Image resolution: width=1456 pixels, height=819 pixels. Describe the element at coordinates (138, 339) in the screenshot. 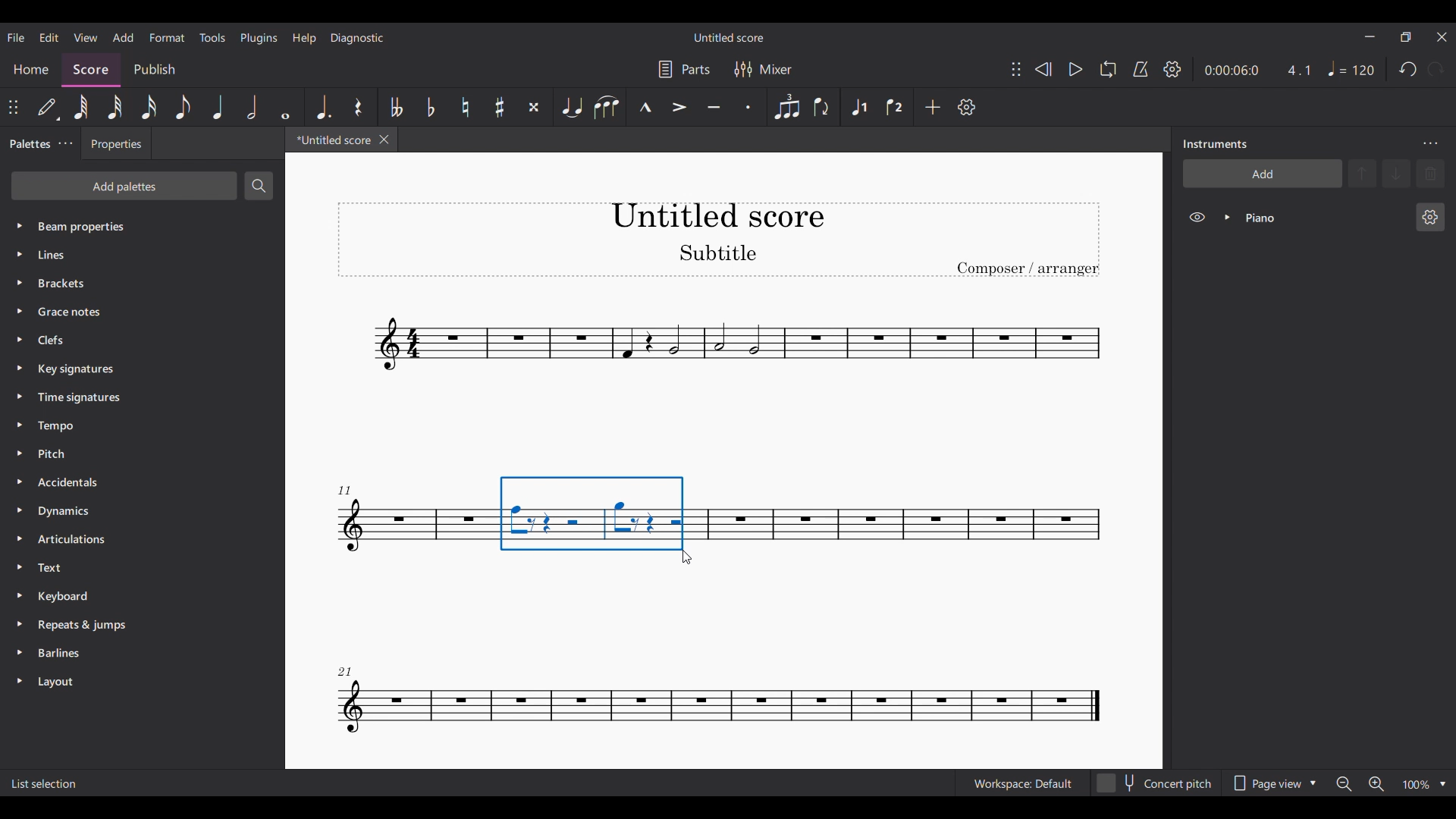

I see `Clefs` at that location.